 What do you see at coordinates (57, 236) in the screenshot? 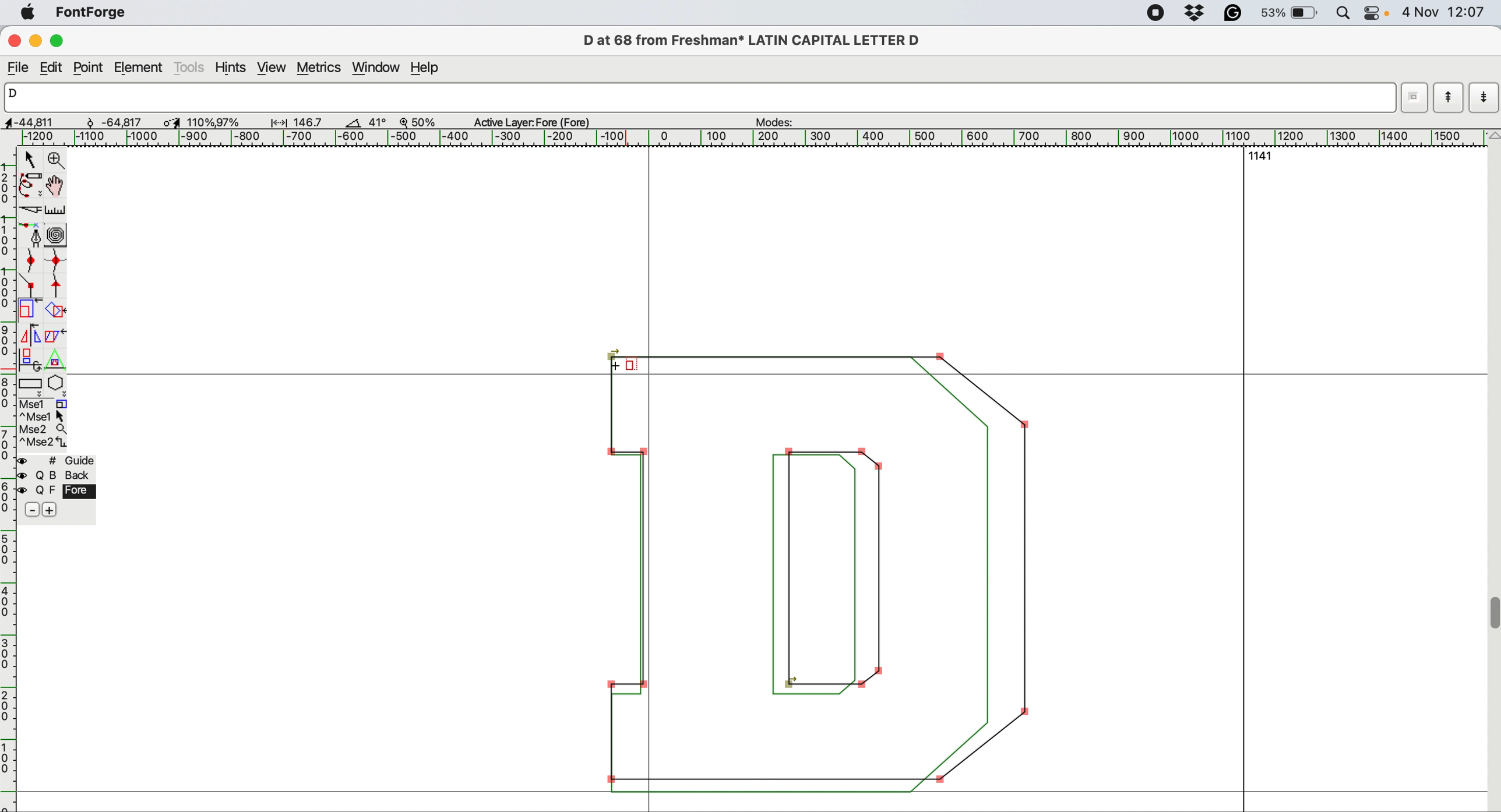
I see `change when spiro is active or not` at bounding box center [57, 236].